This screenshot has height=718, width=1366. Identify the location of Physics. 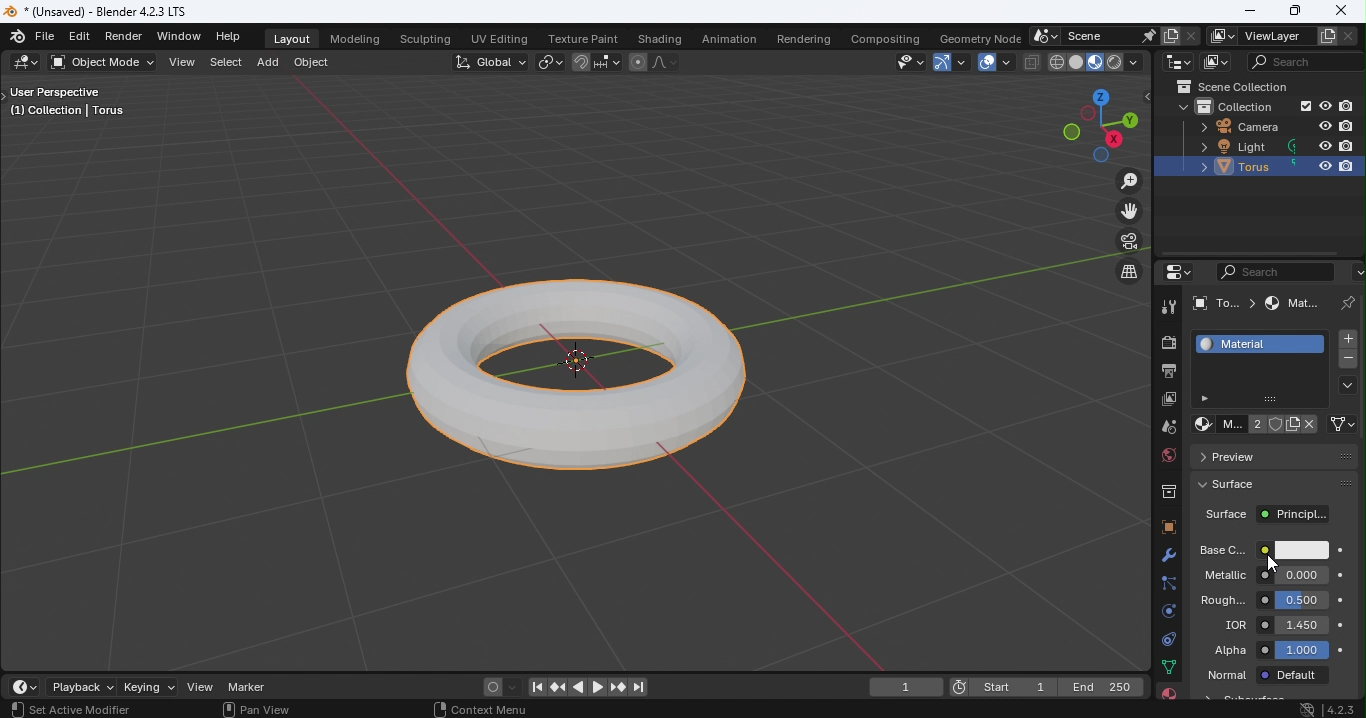
(1168, 609).